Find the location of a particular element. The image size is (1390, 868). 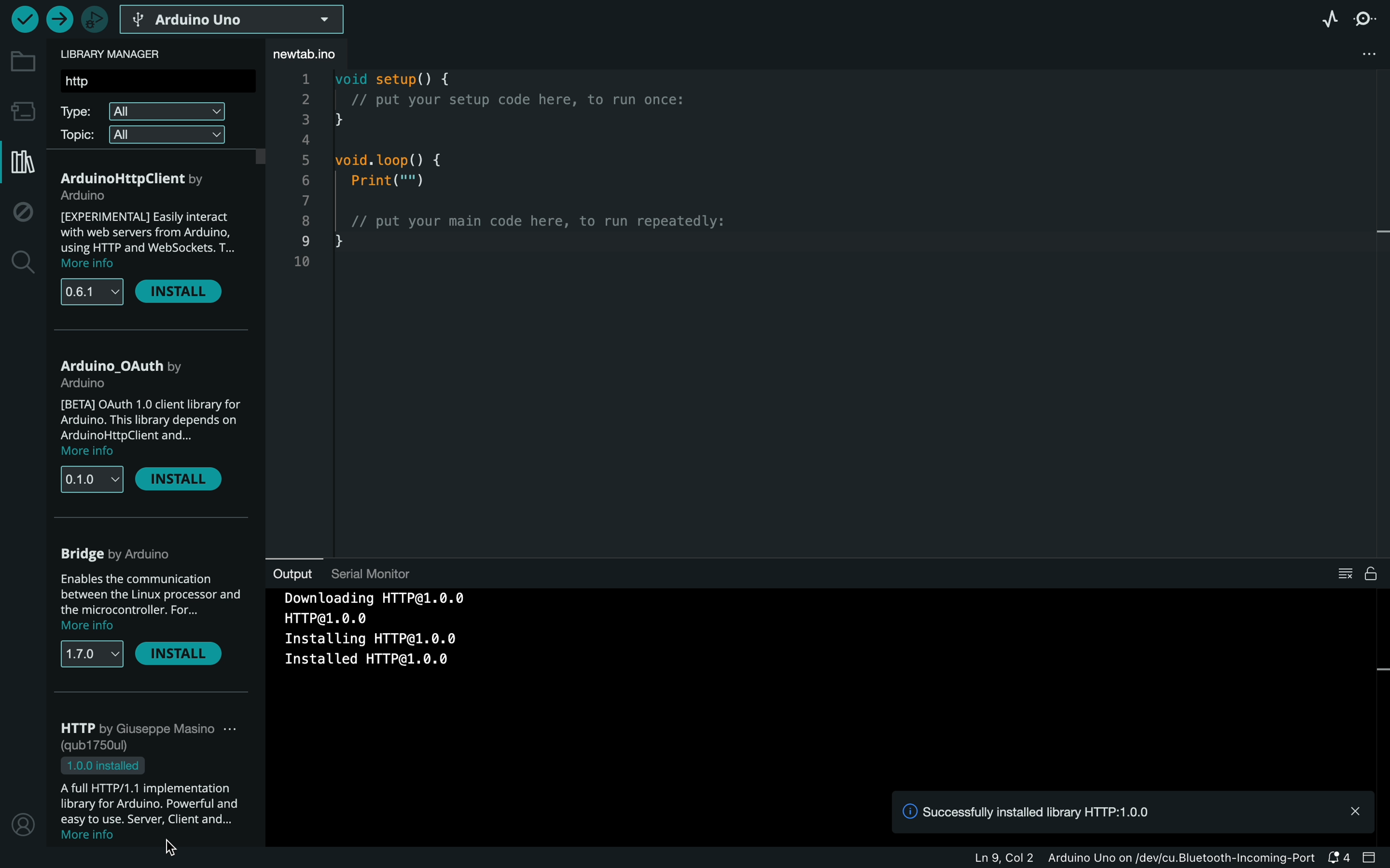

description is located at coordinates (150, 603).